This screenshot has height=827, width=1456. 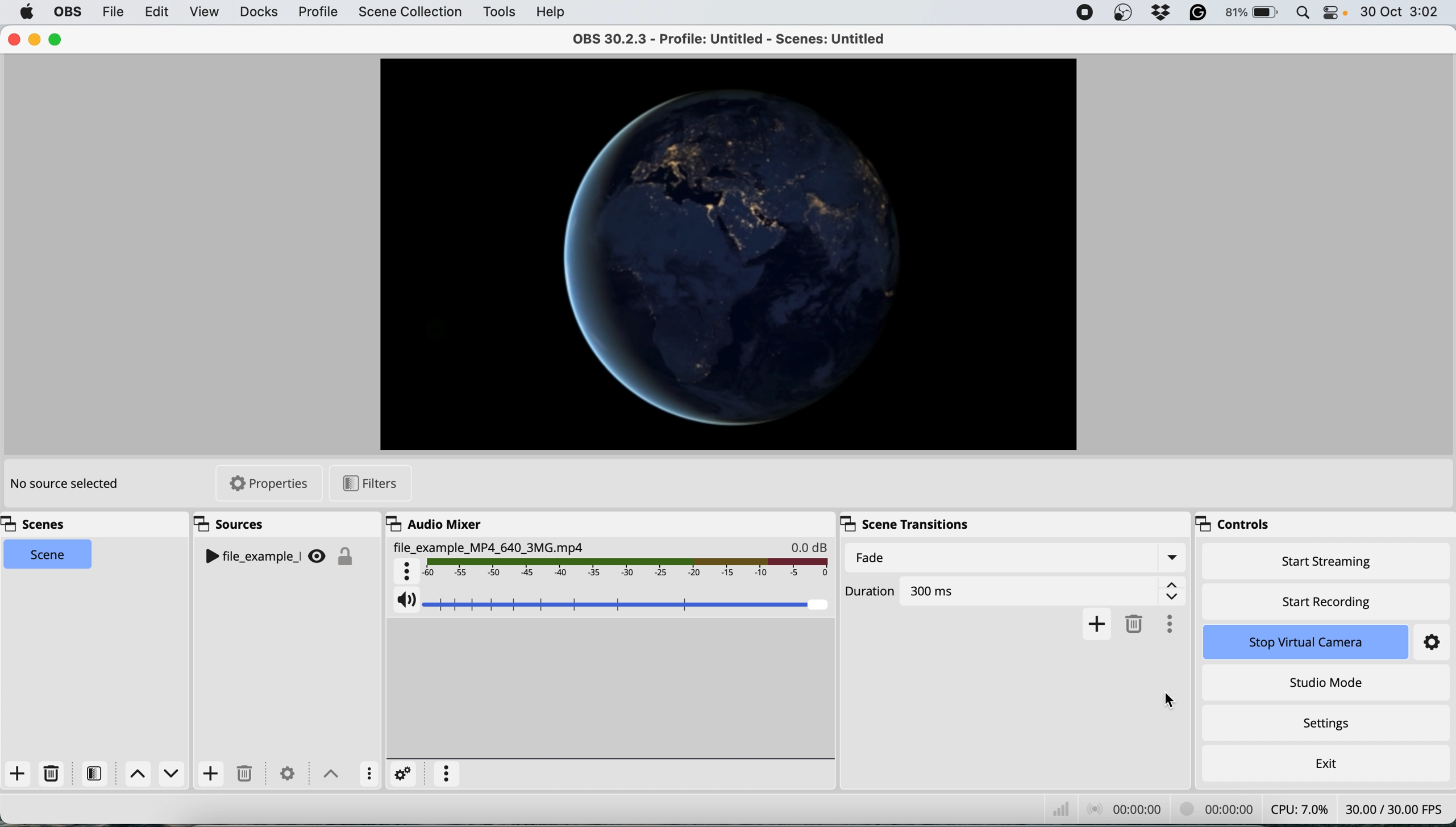 What do you see at coordinates (1122, 12) in the screenshot?
I see `obs studio` at bounding box center [1122, 12].